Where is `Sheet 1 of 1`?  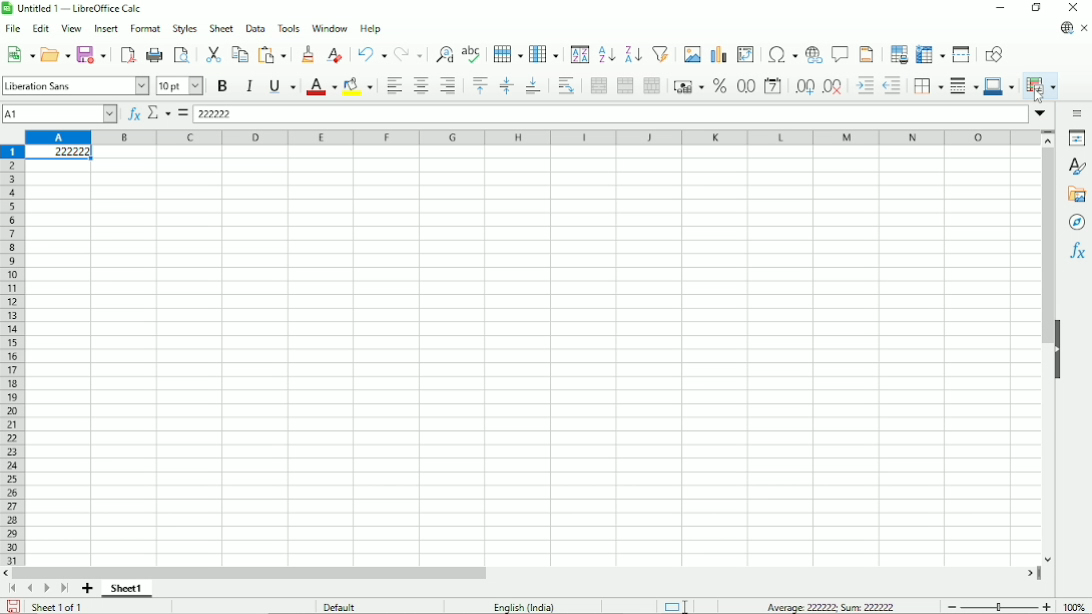
Sheet 1 of 1 is located at coordinates (60, 606).